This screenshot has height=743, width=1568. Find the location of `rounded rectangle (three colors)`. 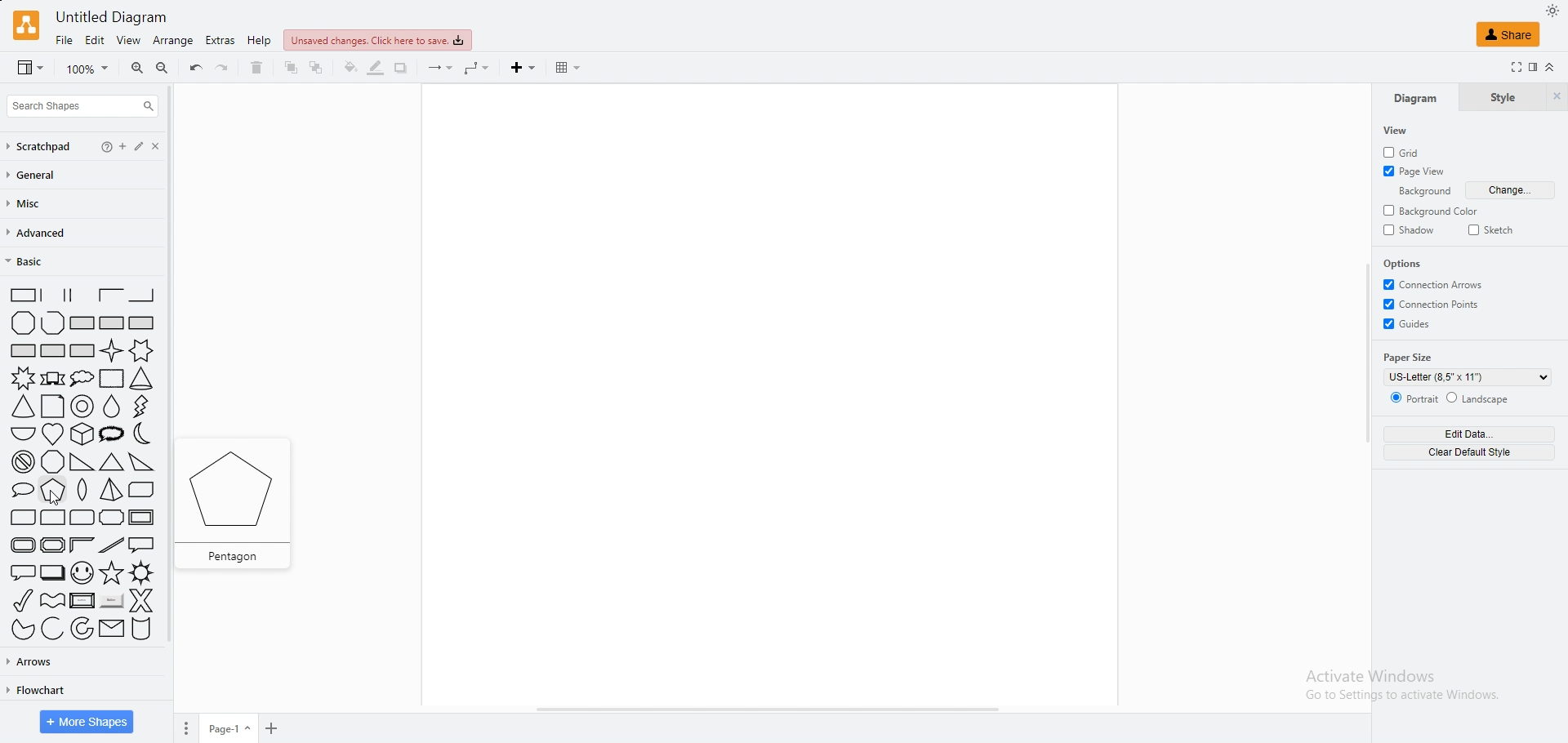

rounded rectangle (three colors) is located at coordinates (82, 518).